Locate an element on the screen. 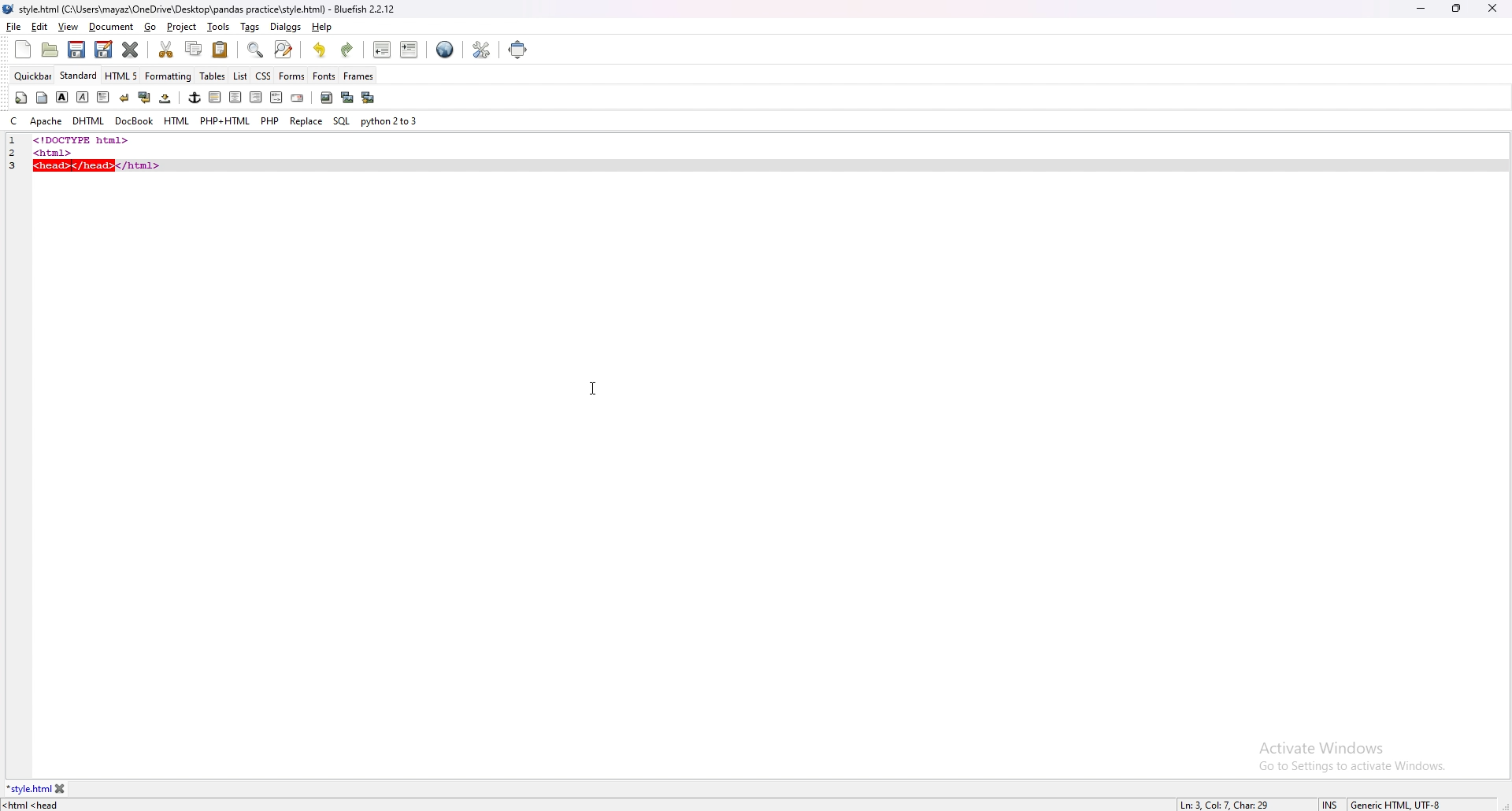  close current tab is located at coordinates (132, 50).